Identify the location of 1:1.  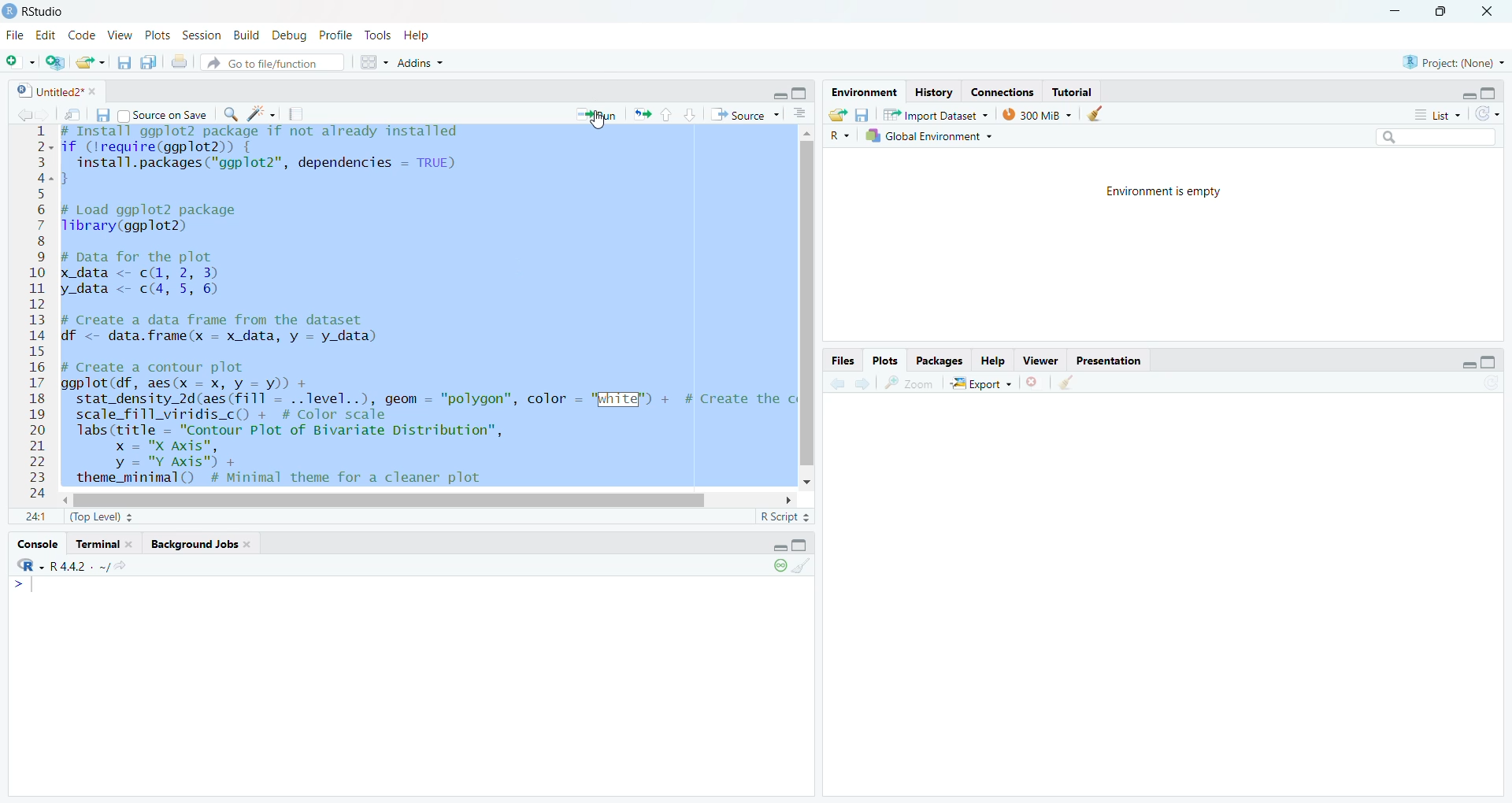
(34, 519).